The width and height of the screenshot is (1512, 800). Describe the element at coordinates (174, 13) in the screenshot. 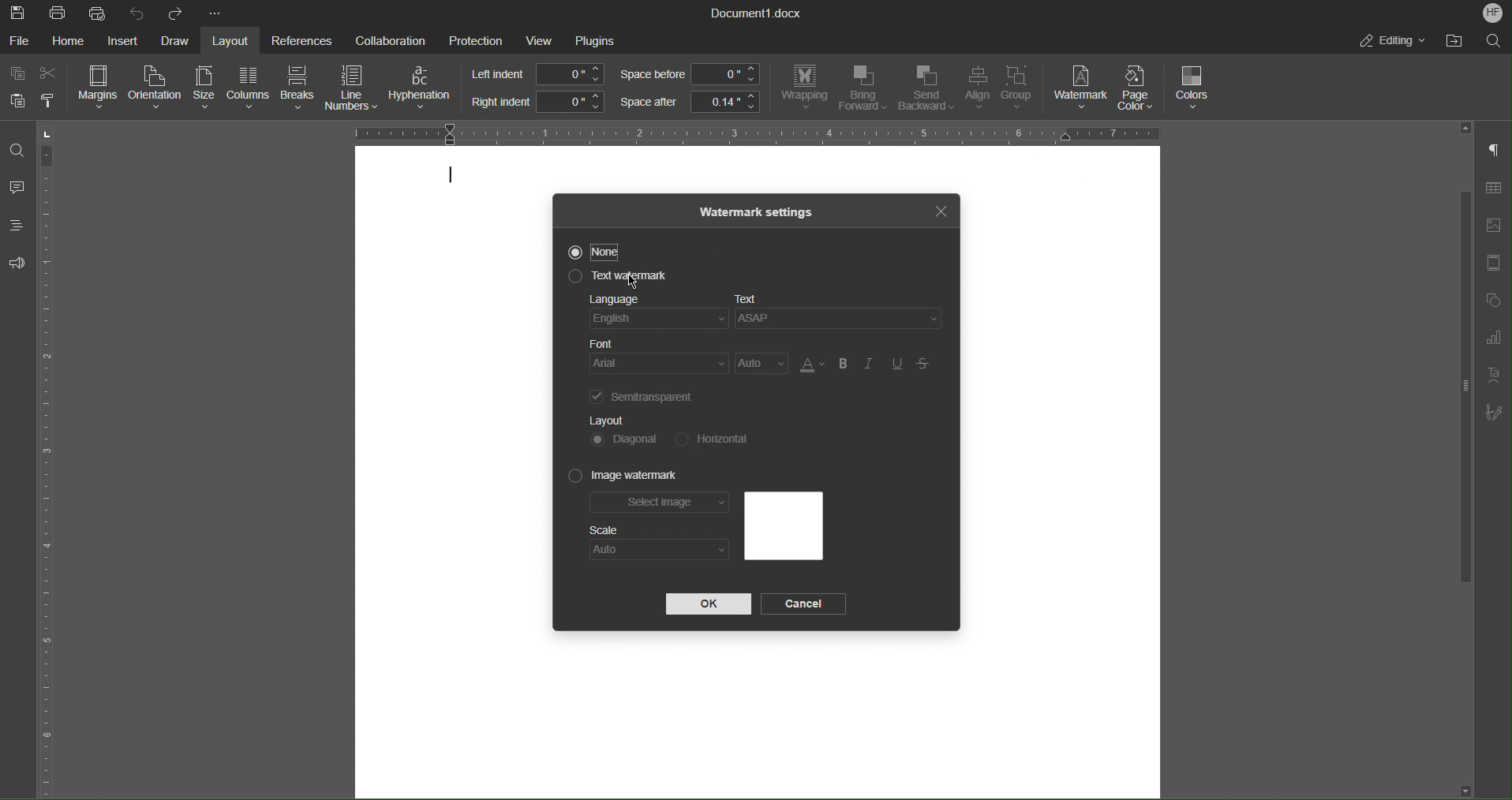

I see `Redo` at that location.